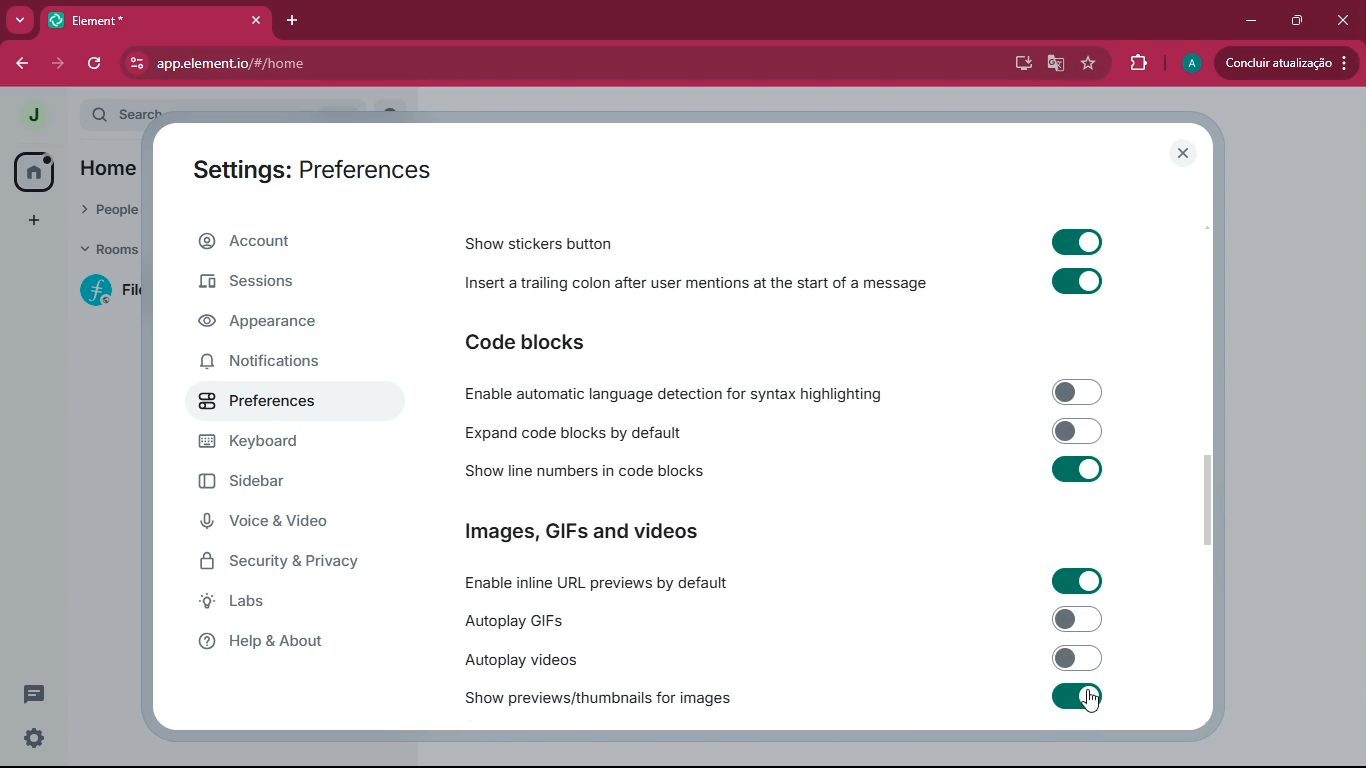 Image resolution: width=1366 pixels, height=768 pixels. Describe the element at coordinates (22, 19) in the screenshot. I see `more` at that location.